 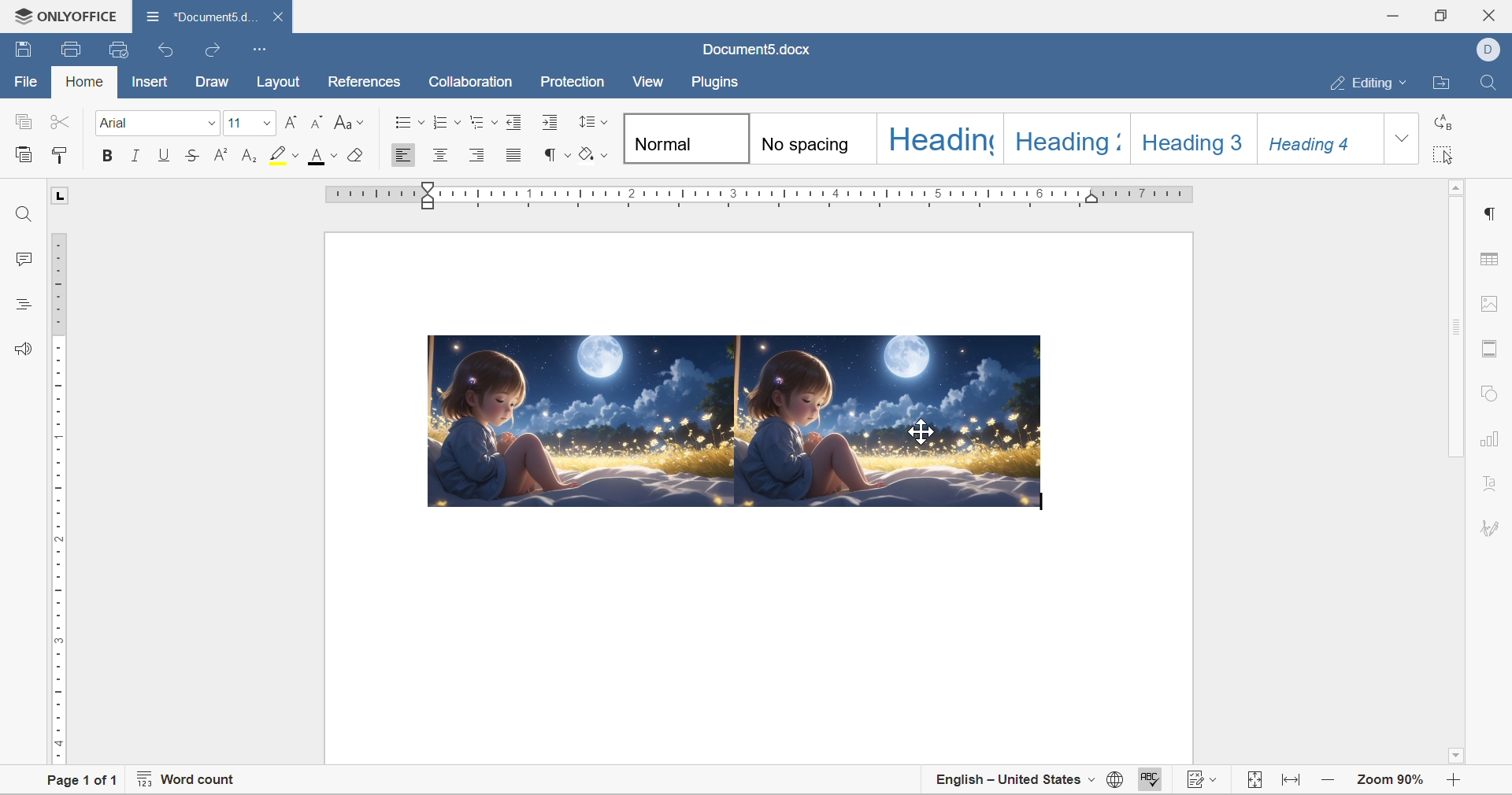 What do you see at coordinates (447, 122) in the screenshot?
I see `numbering` at bounding box center [447, 122].